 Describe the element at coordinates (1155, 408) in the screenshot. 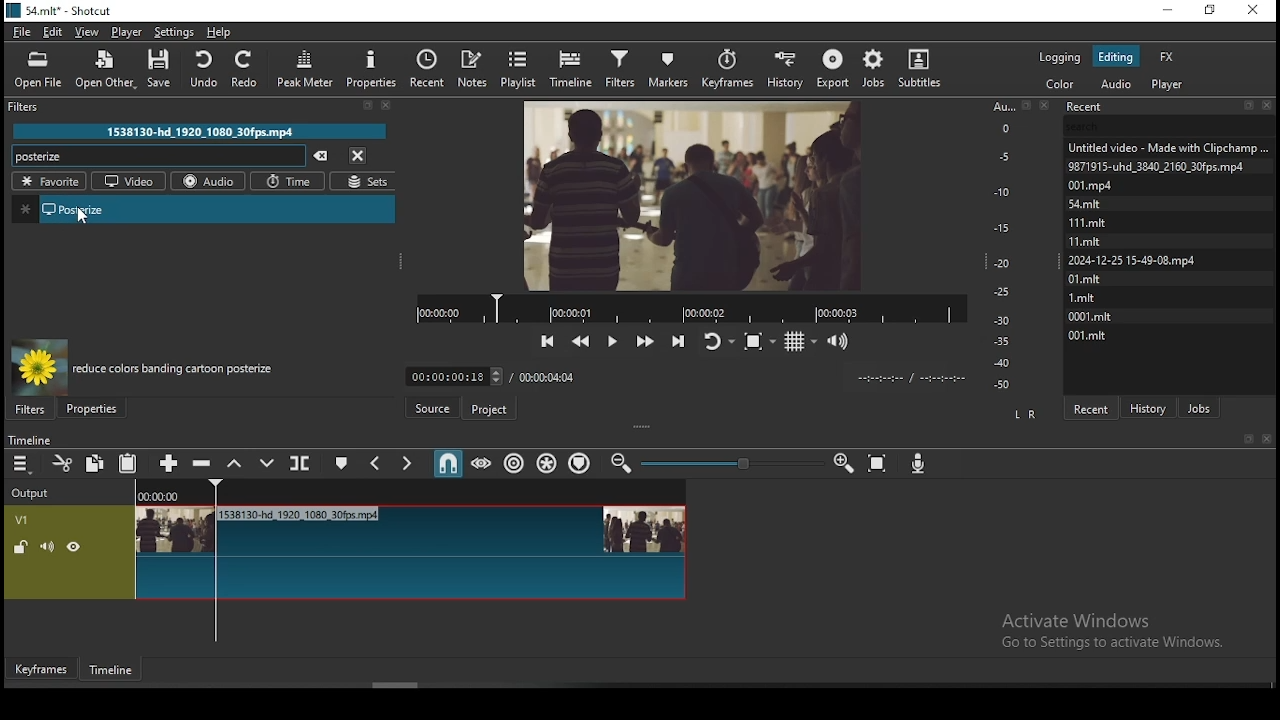

I see `history` at that location.